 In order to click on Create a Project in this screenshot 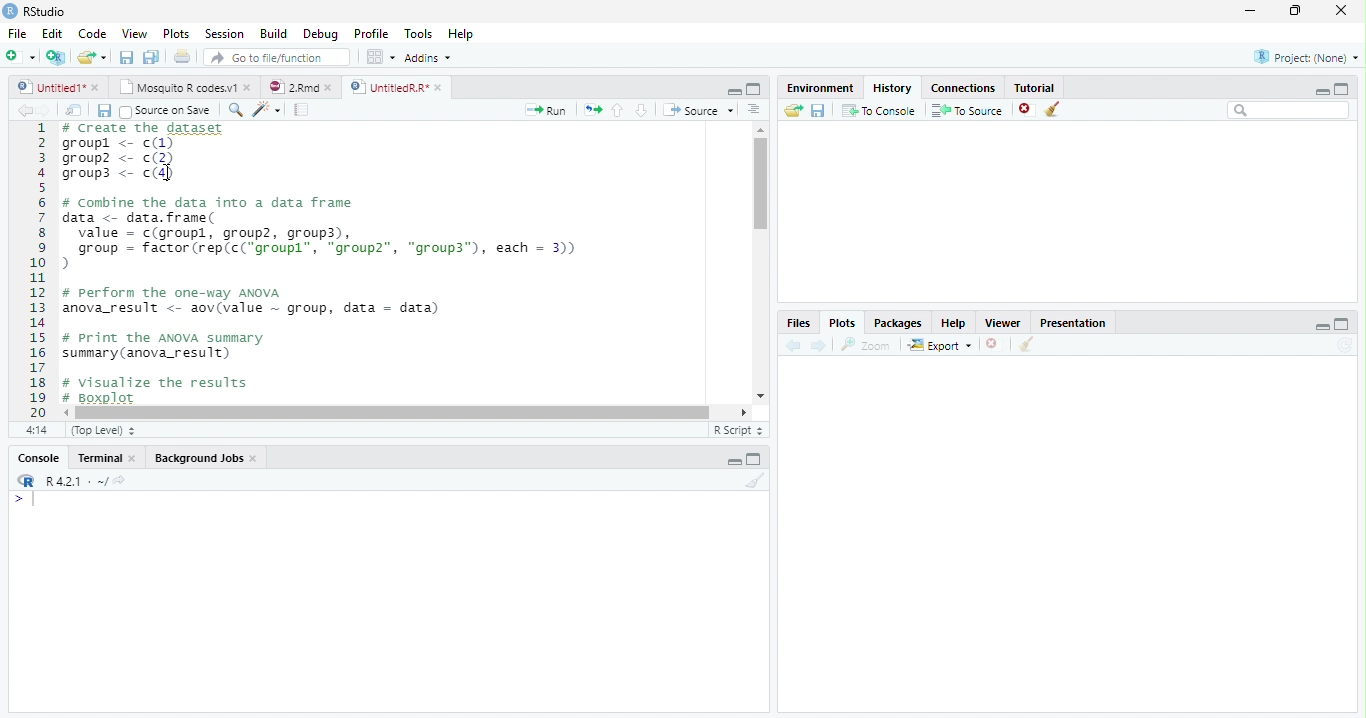, I will do `click(56, 57)`.